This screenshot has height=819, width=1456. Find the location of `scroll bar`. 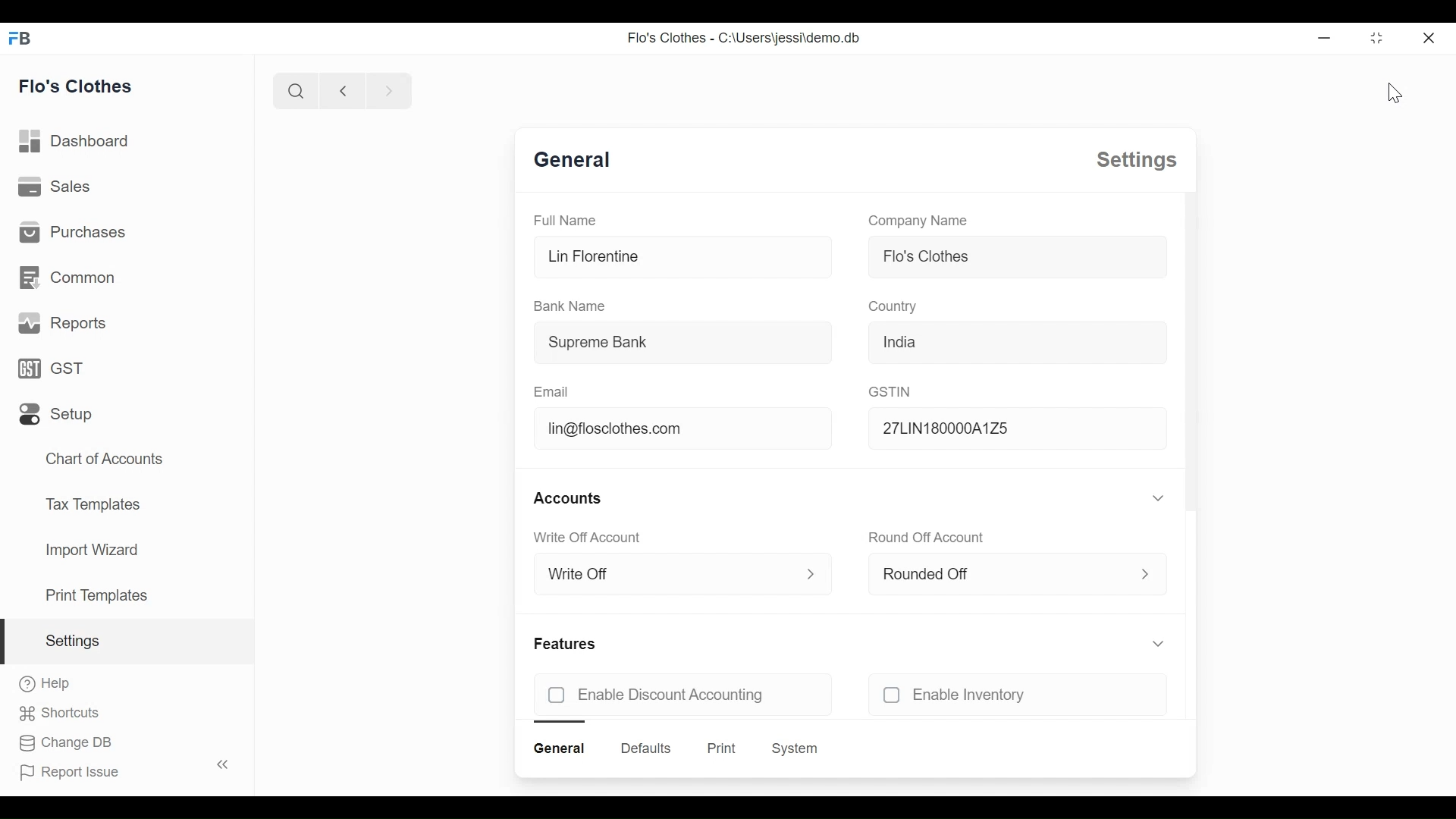

scroll bar is located at coordinates (1191, 353).